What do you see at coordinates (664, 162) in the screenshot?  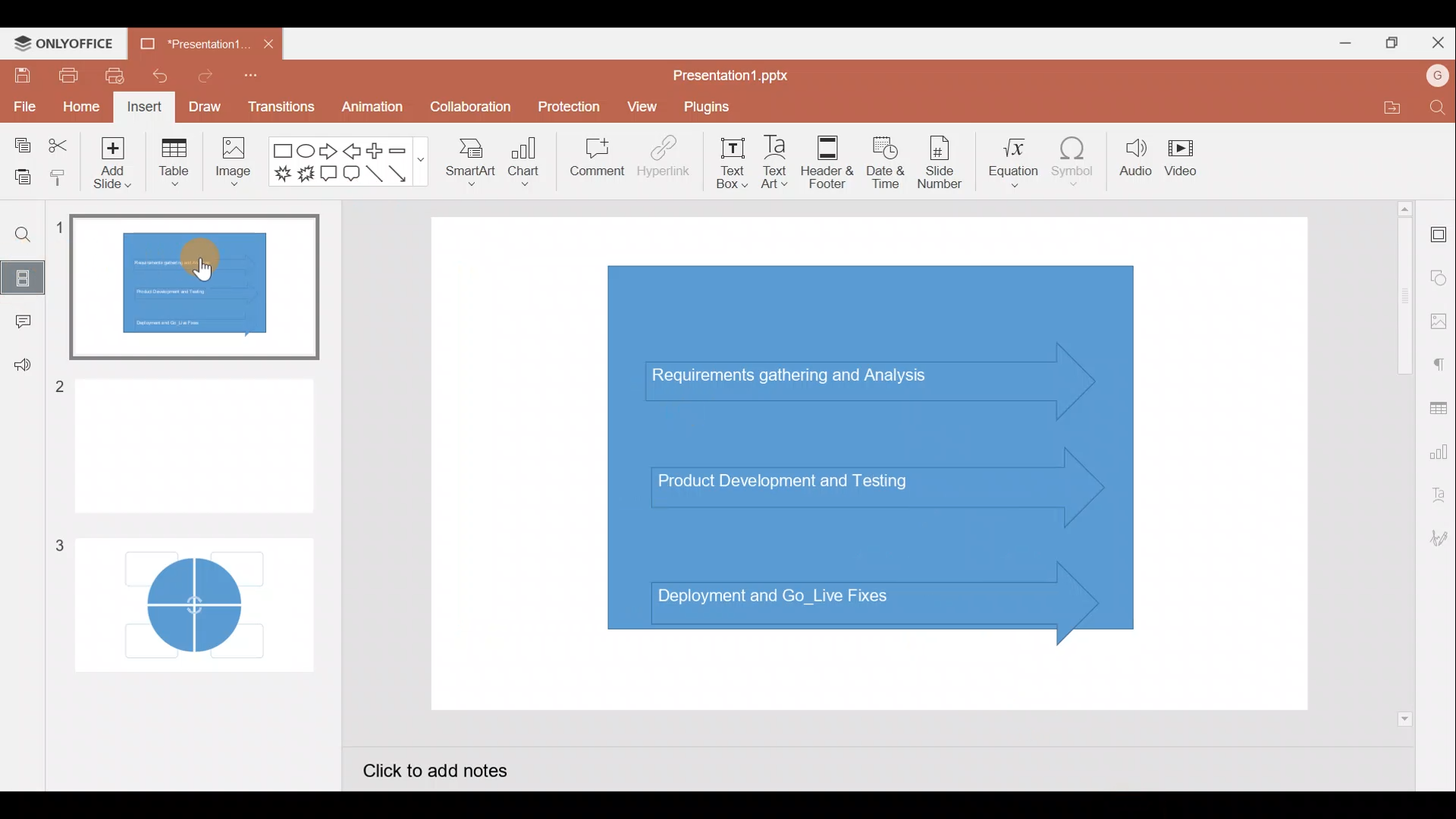 I see `Hyperlink` at bounding box center [664, 162].